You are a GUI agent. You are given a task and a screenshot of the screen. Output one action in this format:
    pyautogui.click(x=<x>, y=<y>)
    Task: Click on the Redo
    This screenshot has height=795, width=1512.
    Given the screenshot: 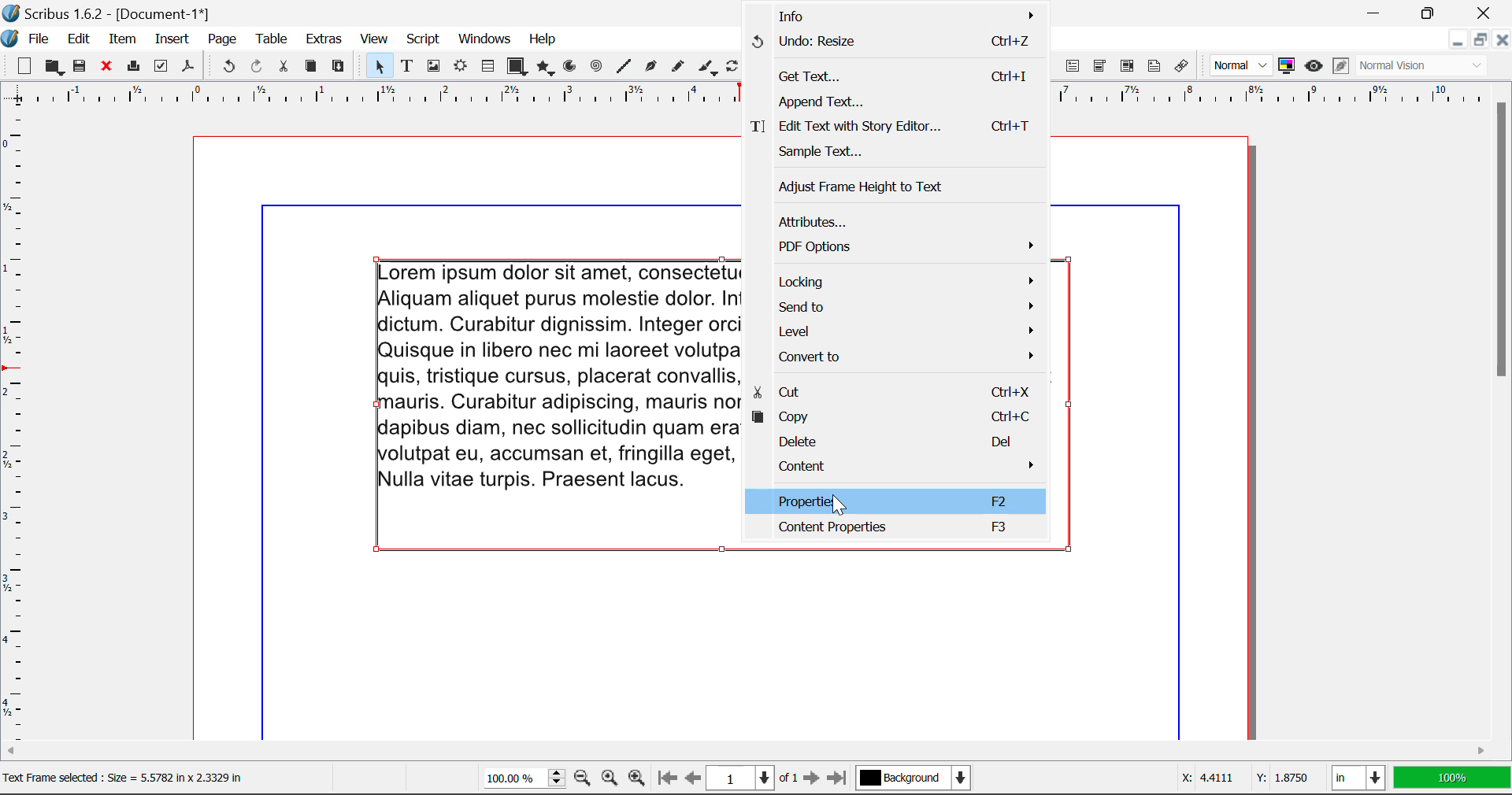 What is the action you would take?
    pyautogui.click(x=257, y=68)
    